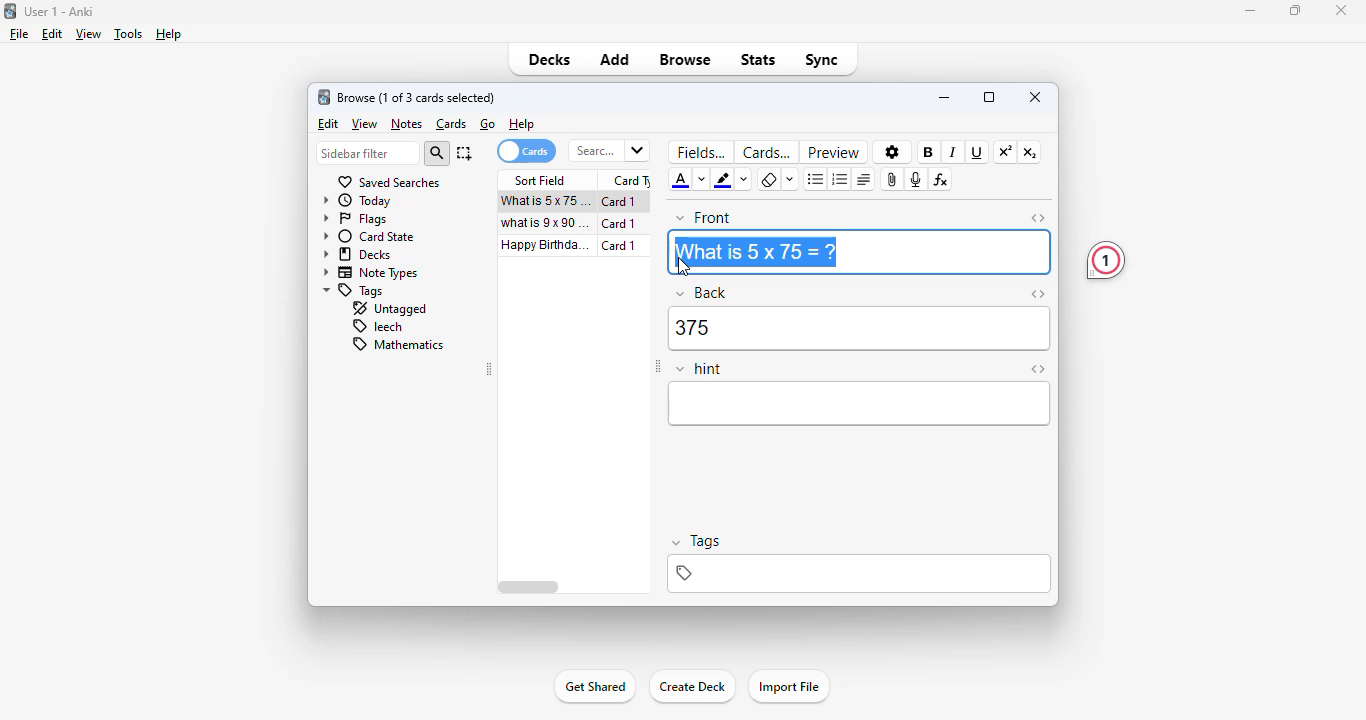  Describe the element at coordinates (594, 688) in the screenshot. I see `get shared` at that location.